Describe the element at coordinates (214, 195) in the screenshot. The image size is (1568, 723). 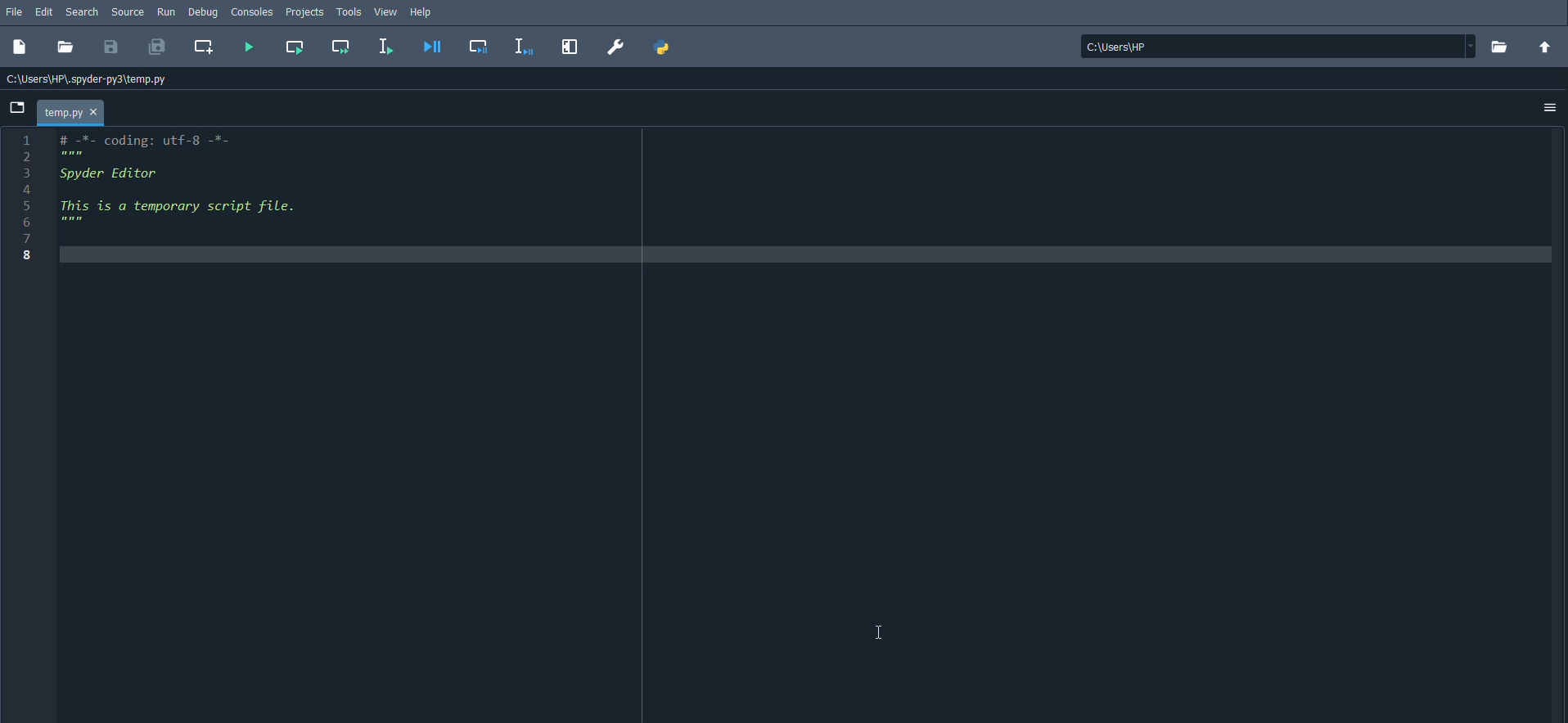
I see `Spyder Editor This is a temporary script file` at that location.